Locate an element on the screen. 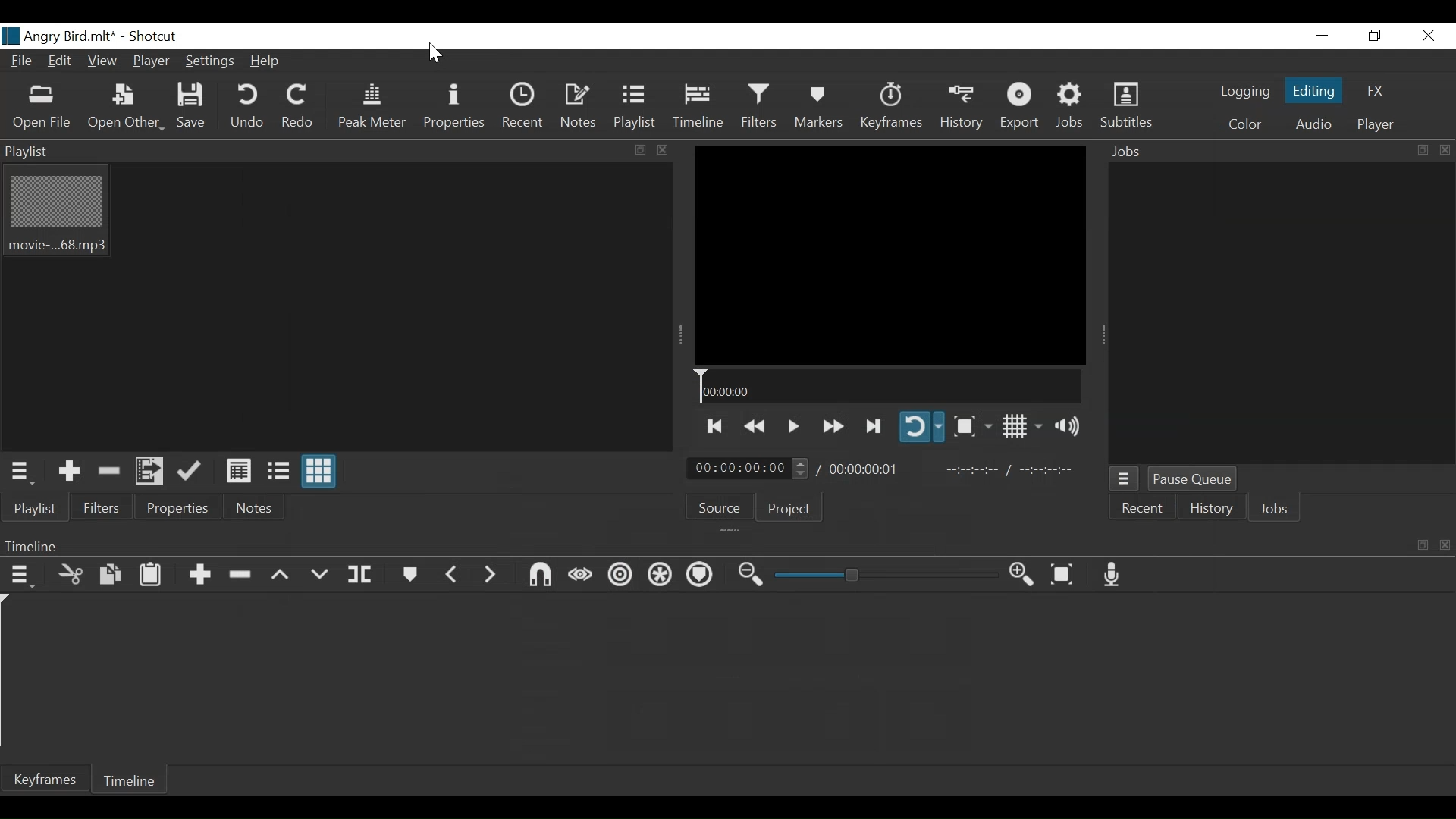  Play forward quickly is located at coordinates (874, 425).